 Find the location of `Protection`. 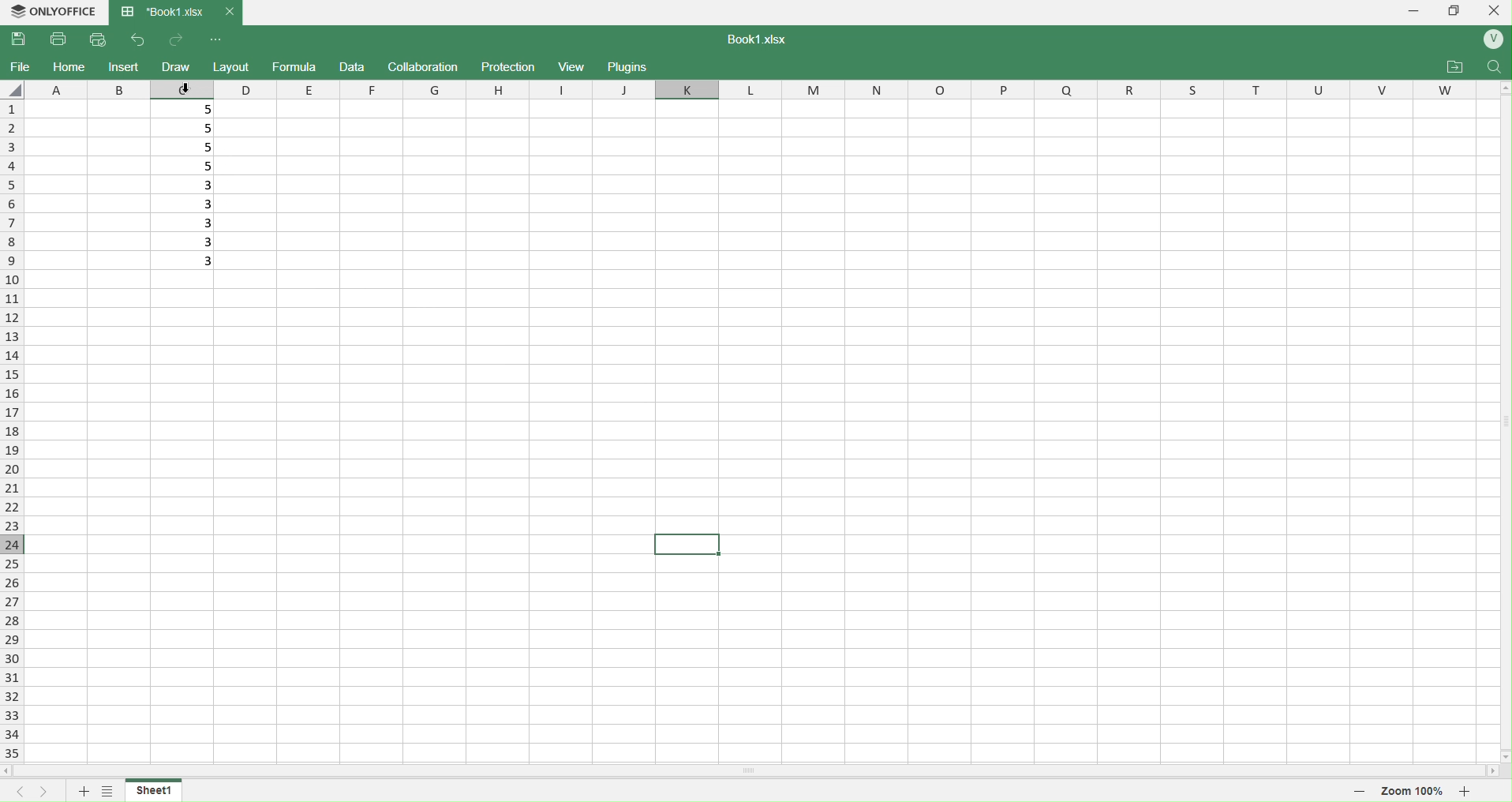

Protection is located at coordinates (510, 67).